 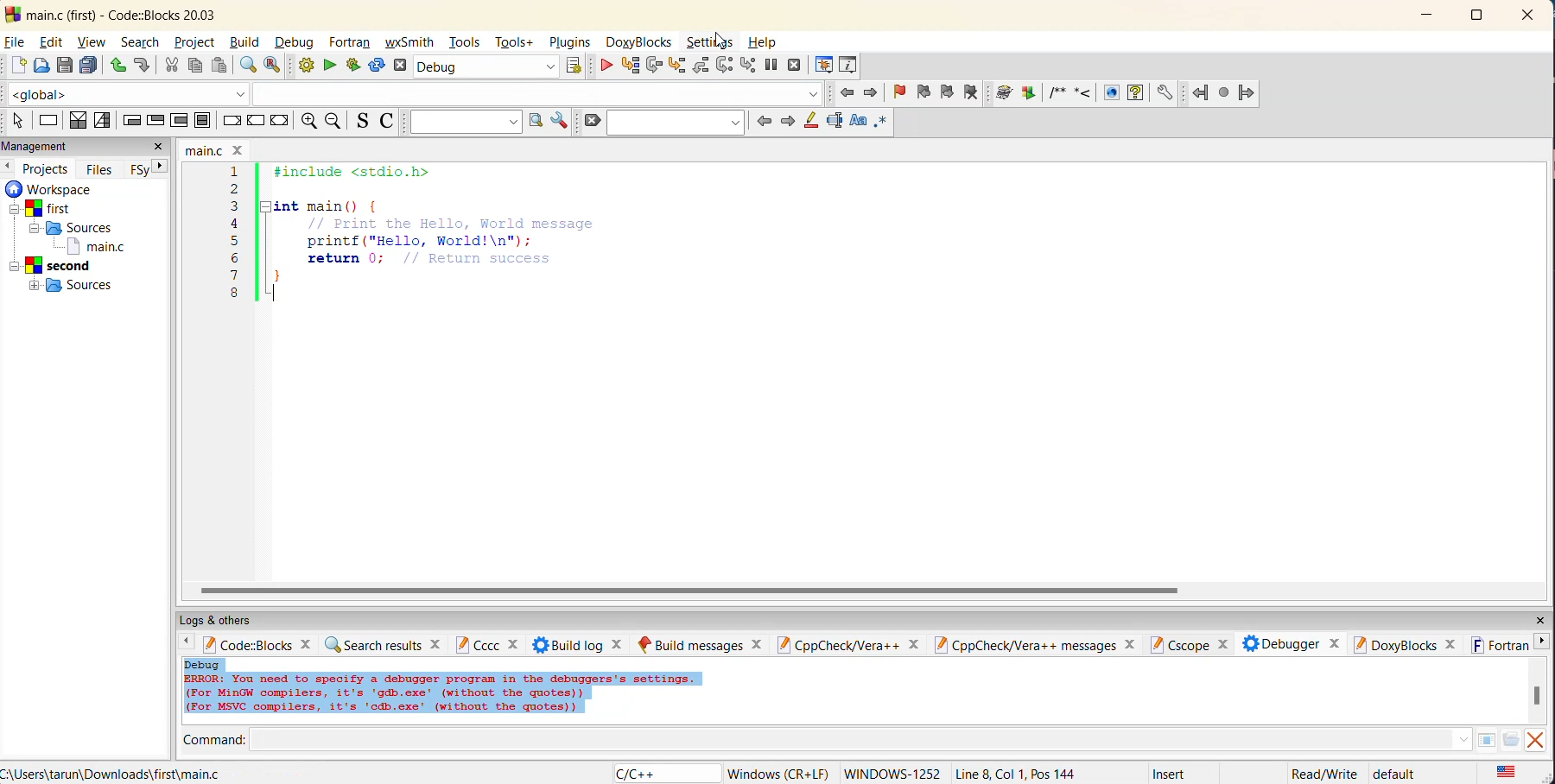 What do you see at coordinates (488, 644) in the screenshot?
I see `cccc` at bounding box center [488, 644].